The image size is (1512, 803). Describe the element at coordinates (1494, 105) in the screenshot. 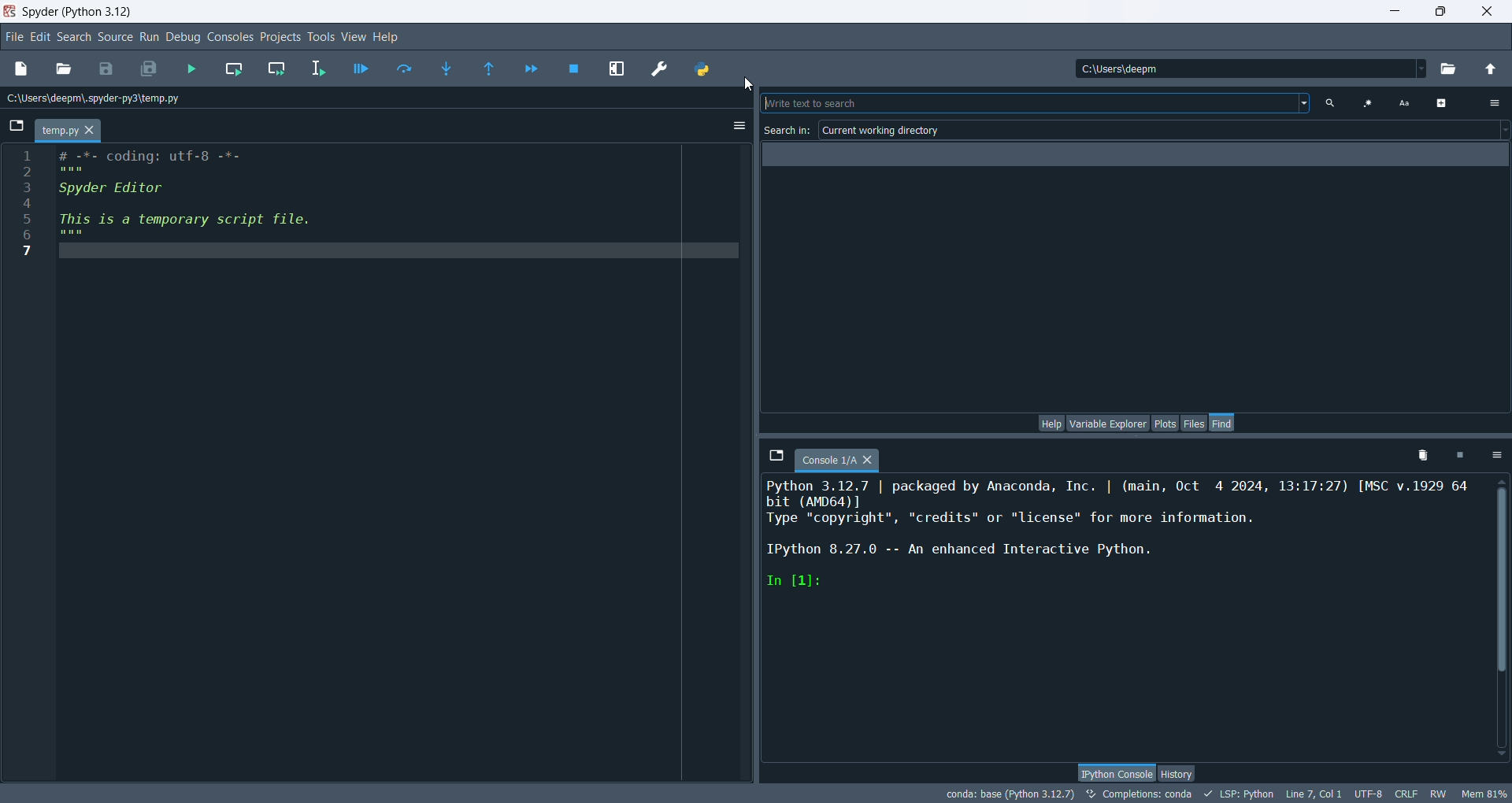

I see `options` at that location.